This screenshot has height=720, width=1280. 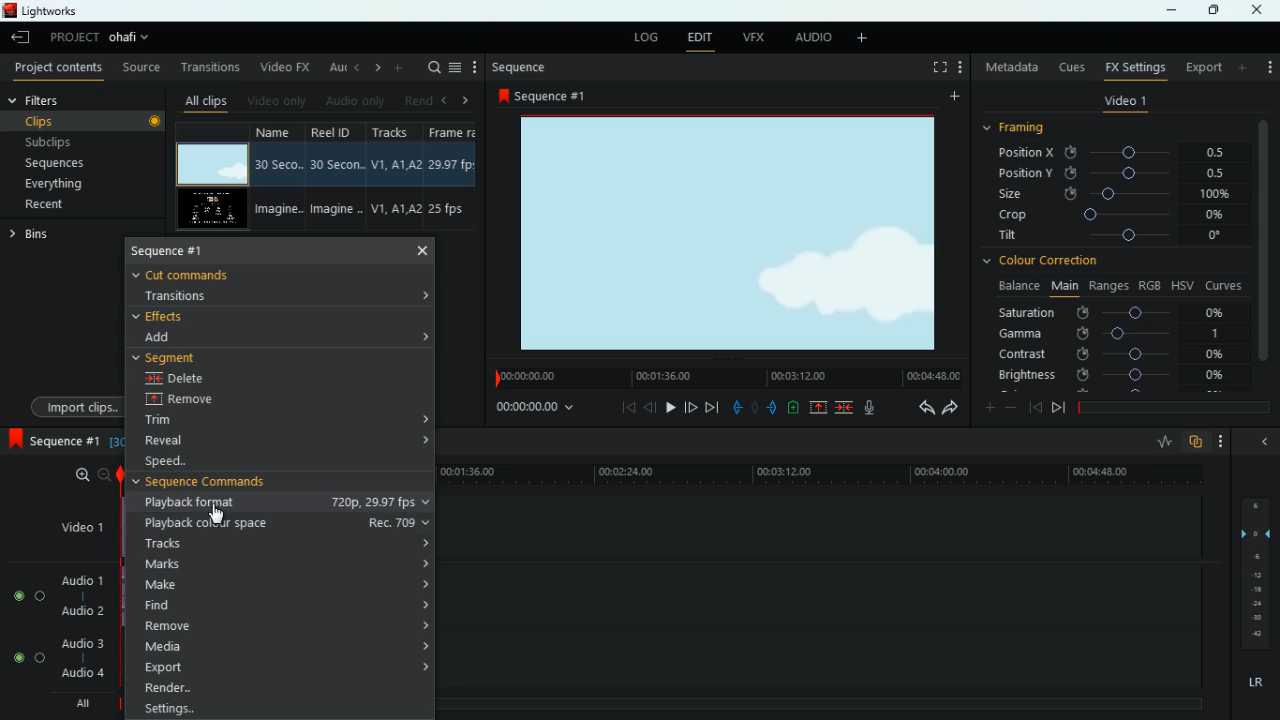 I want to click on battery, so click(x=793, y=407).